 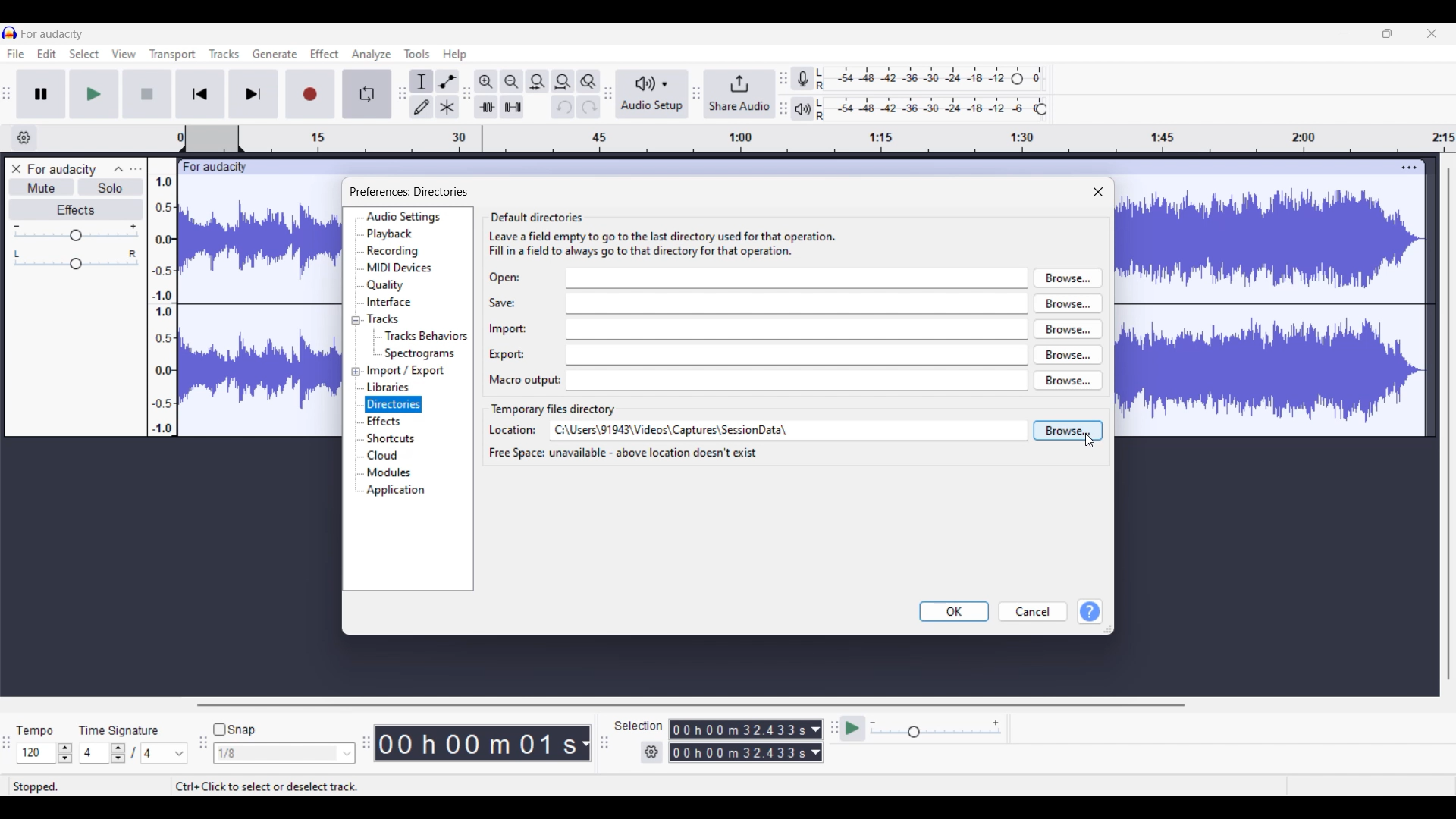 What do you see at coordinates (486, 82) in the screenshot?
I see `Zoom in` at bounding box center [486, 82].